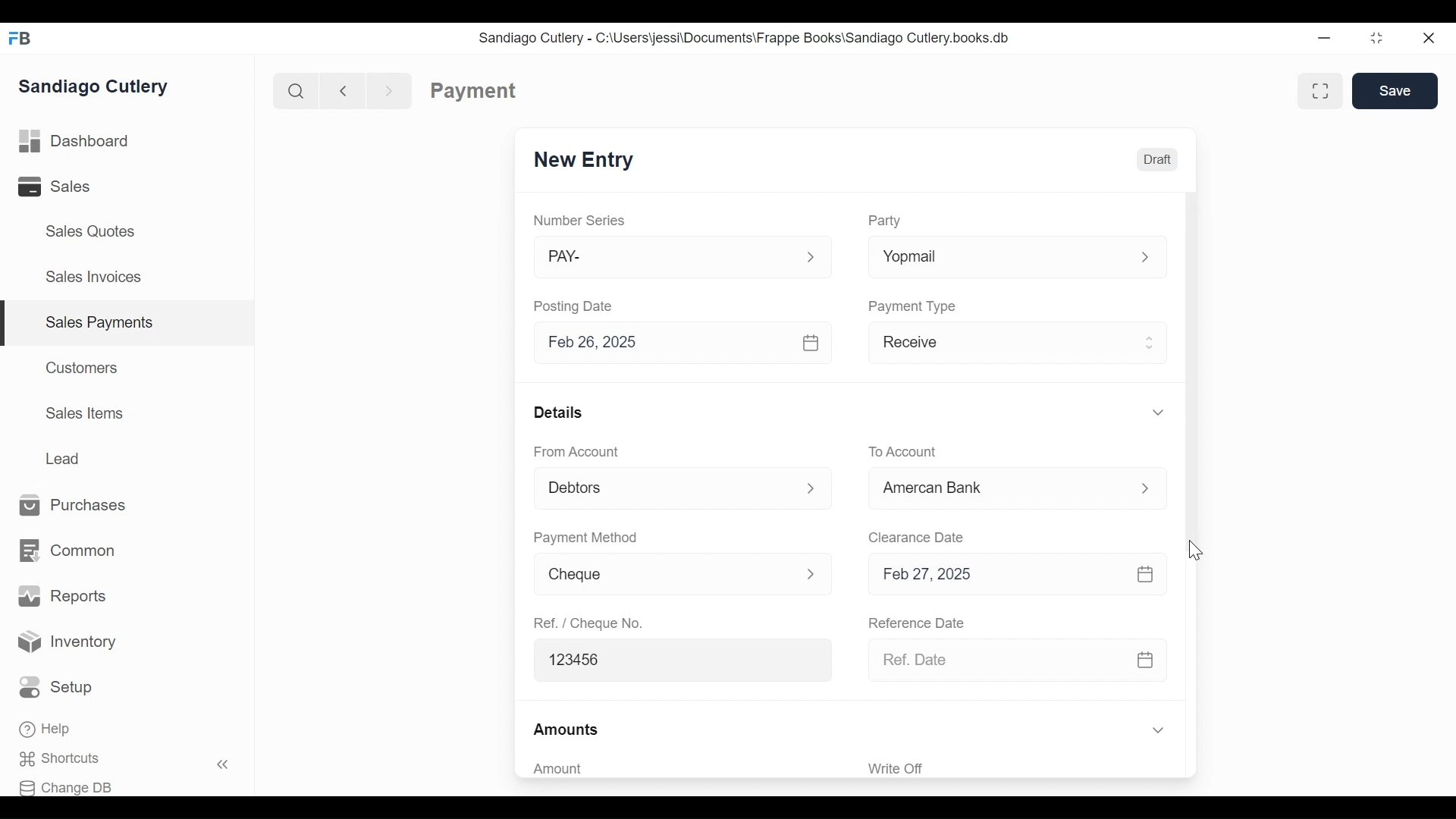 The width and height of the screenshot is (1456, 819). Describe the element at coordinates (1324, 39) in the screenshot. I see `Minimize` at that location.